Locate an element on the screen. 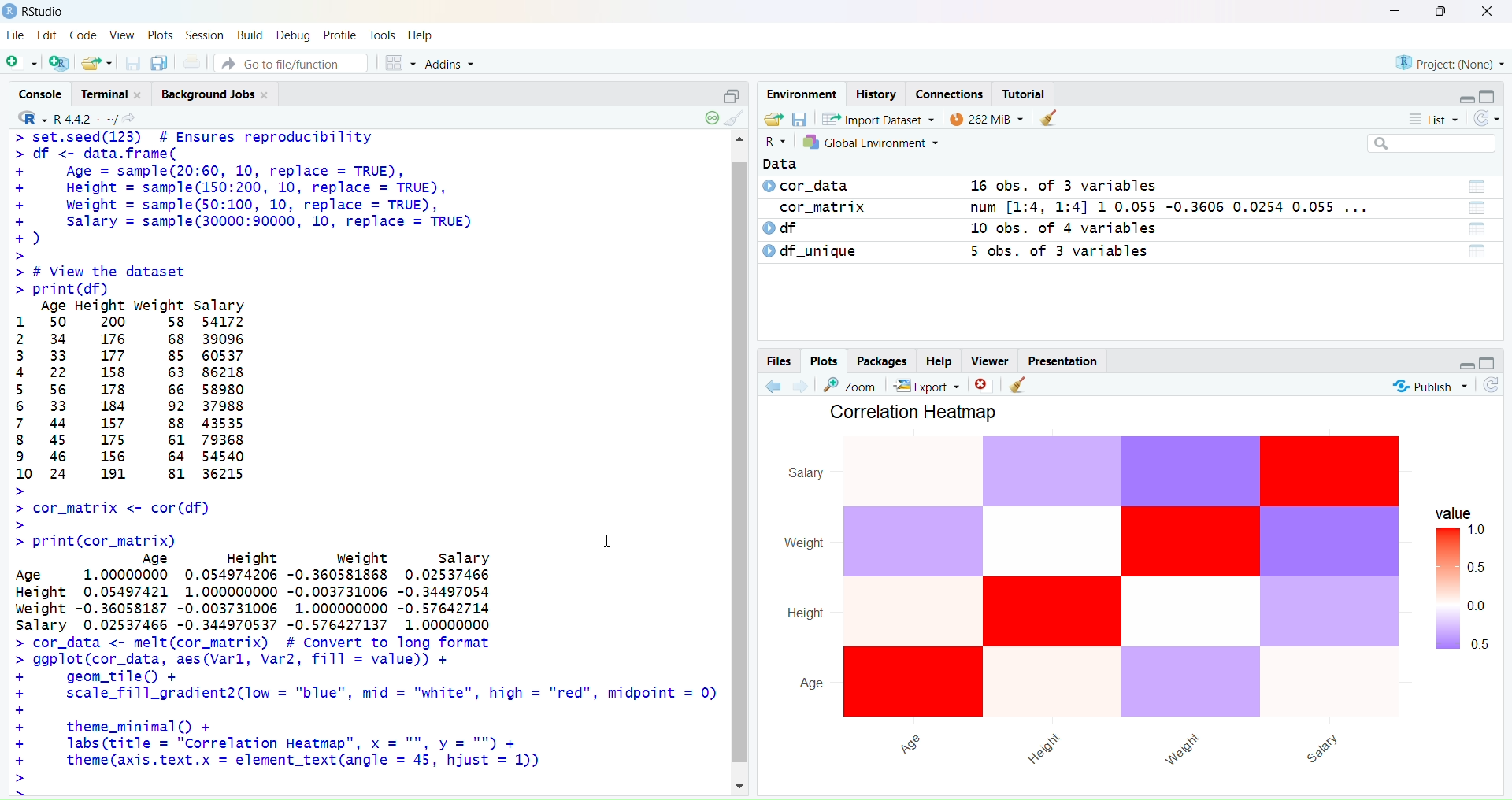  List is located at coordinates (1477, 207).